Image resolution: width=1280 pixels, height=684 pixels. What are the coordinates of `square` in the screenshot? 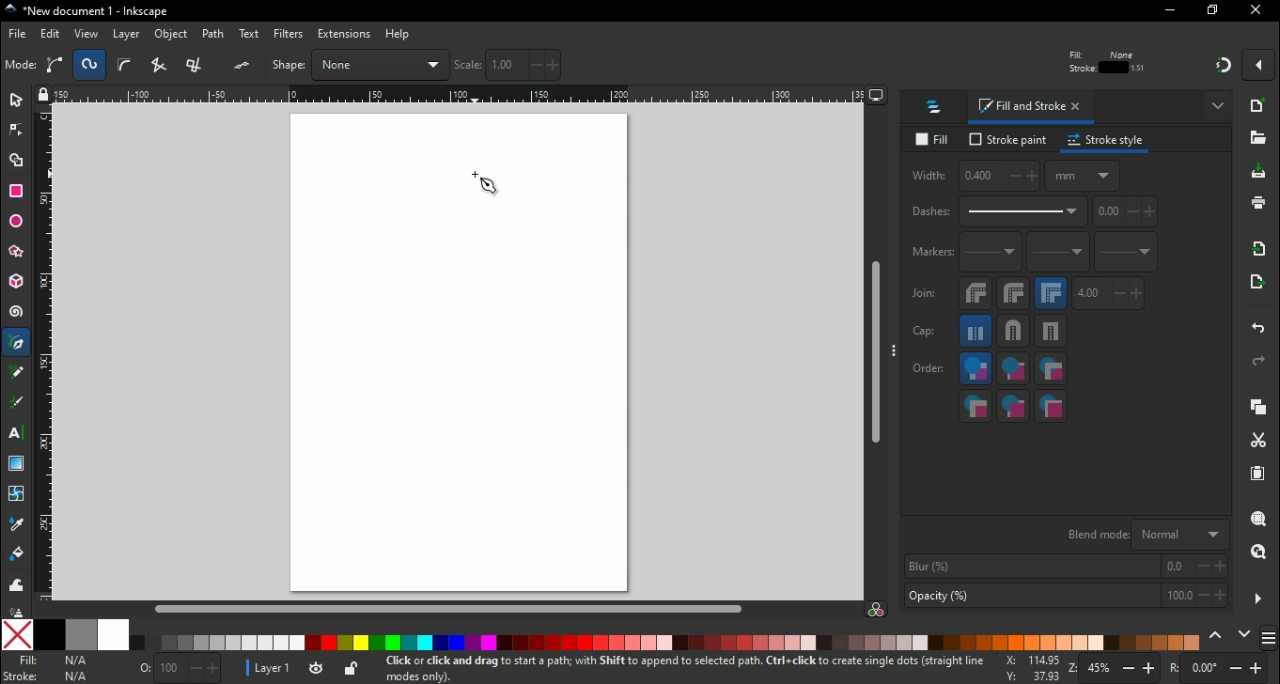 It's located at (1053, 335).